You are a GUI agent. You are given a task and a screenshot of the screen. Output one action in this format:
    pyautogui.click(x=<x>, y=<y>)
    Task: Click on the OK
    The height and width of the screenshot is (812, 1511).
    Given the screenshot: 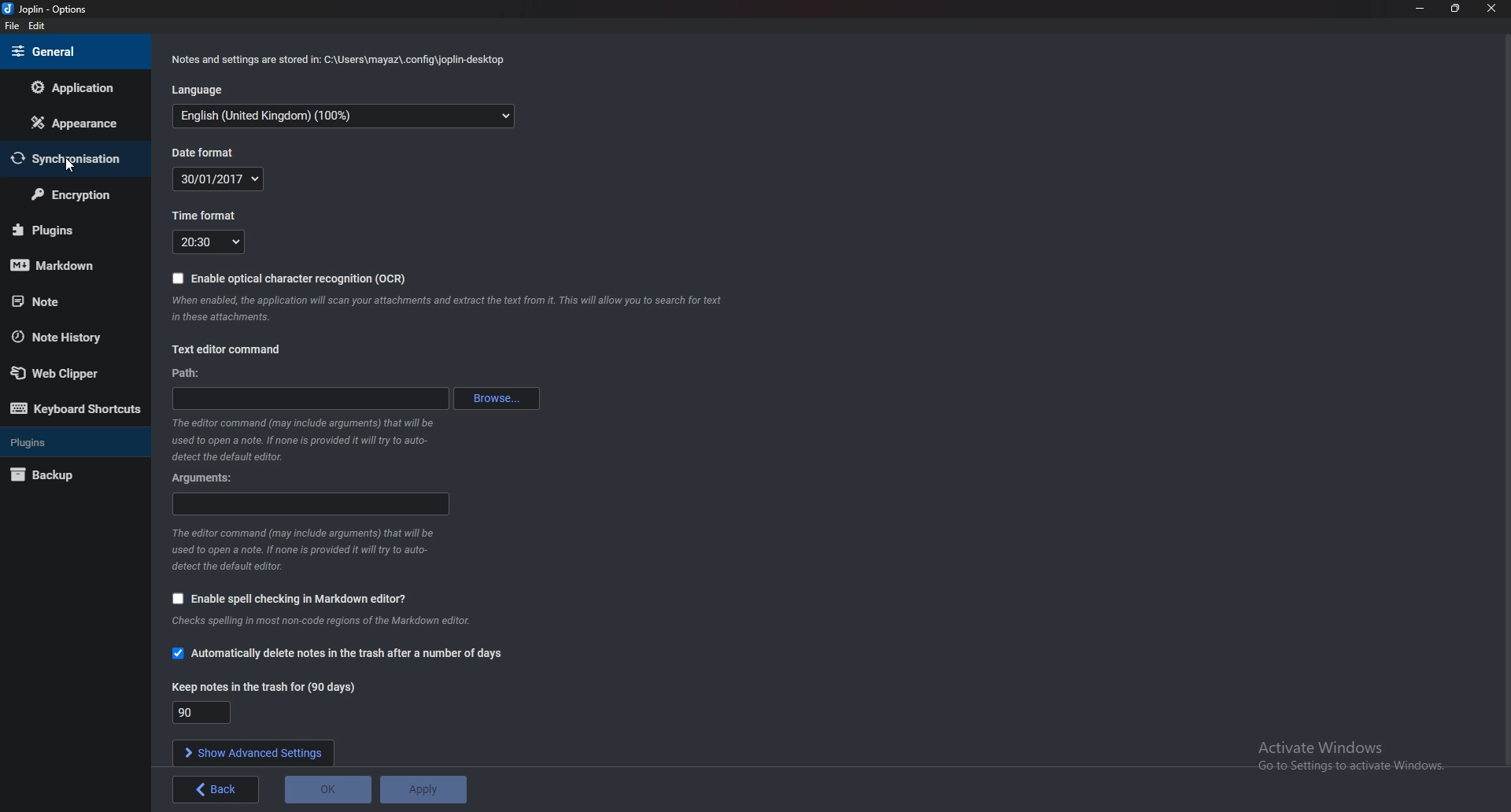 What is the action you would take?
    pyautogui.click(x=329, y=788)
    